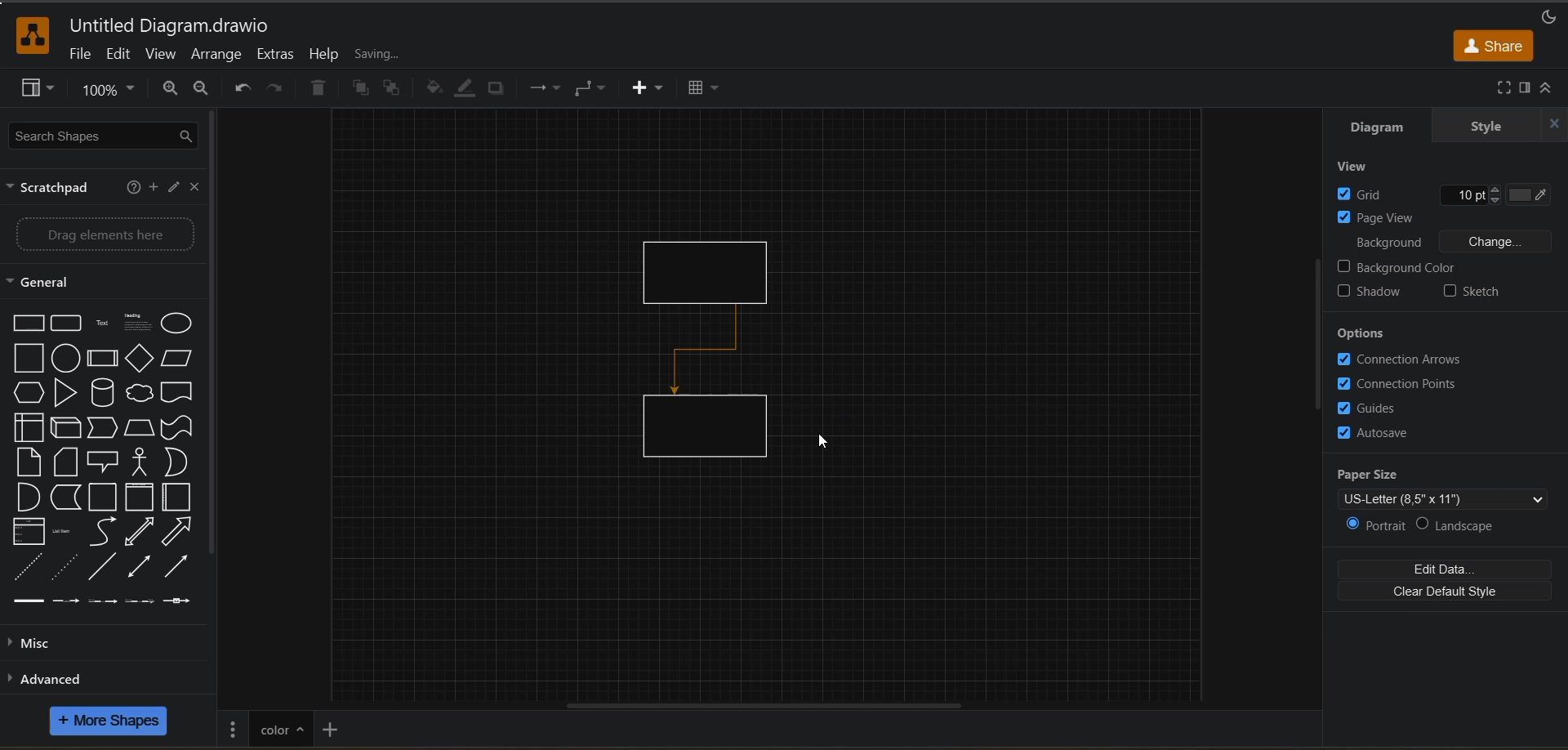 This screenshot has height=750, width=1568. What do you see at coordinates (27, 497) in the screenshot?
I see `AND` at bounding box center [27, 497].